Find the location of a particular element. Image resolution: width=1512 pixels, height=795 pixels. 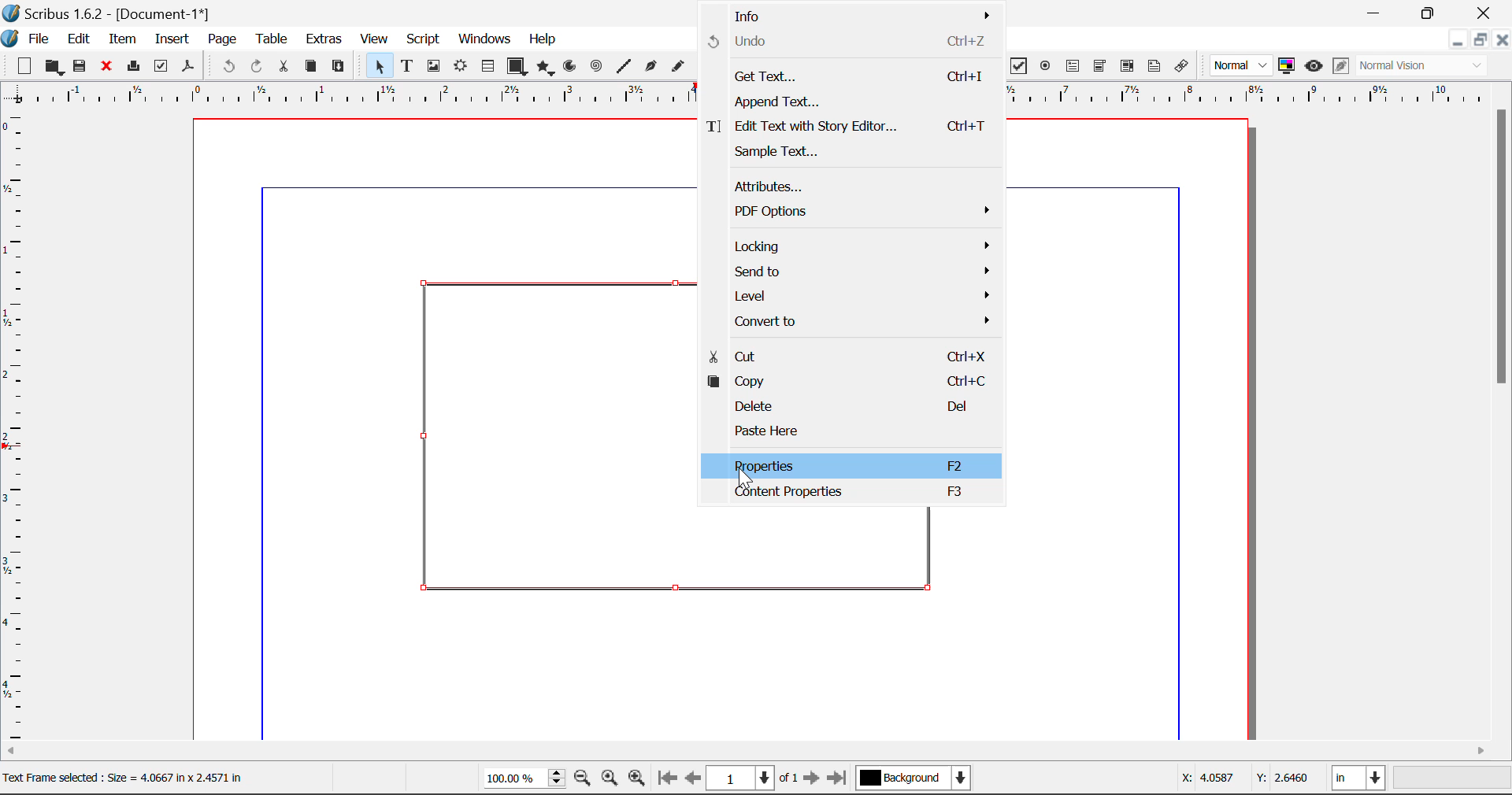

Redo is located at coordinates (260, 67).